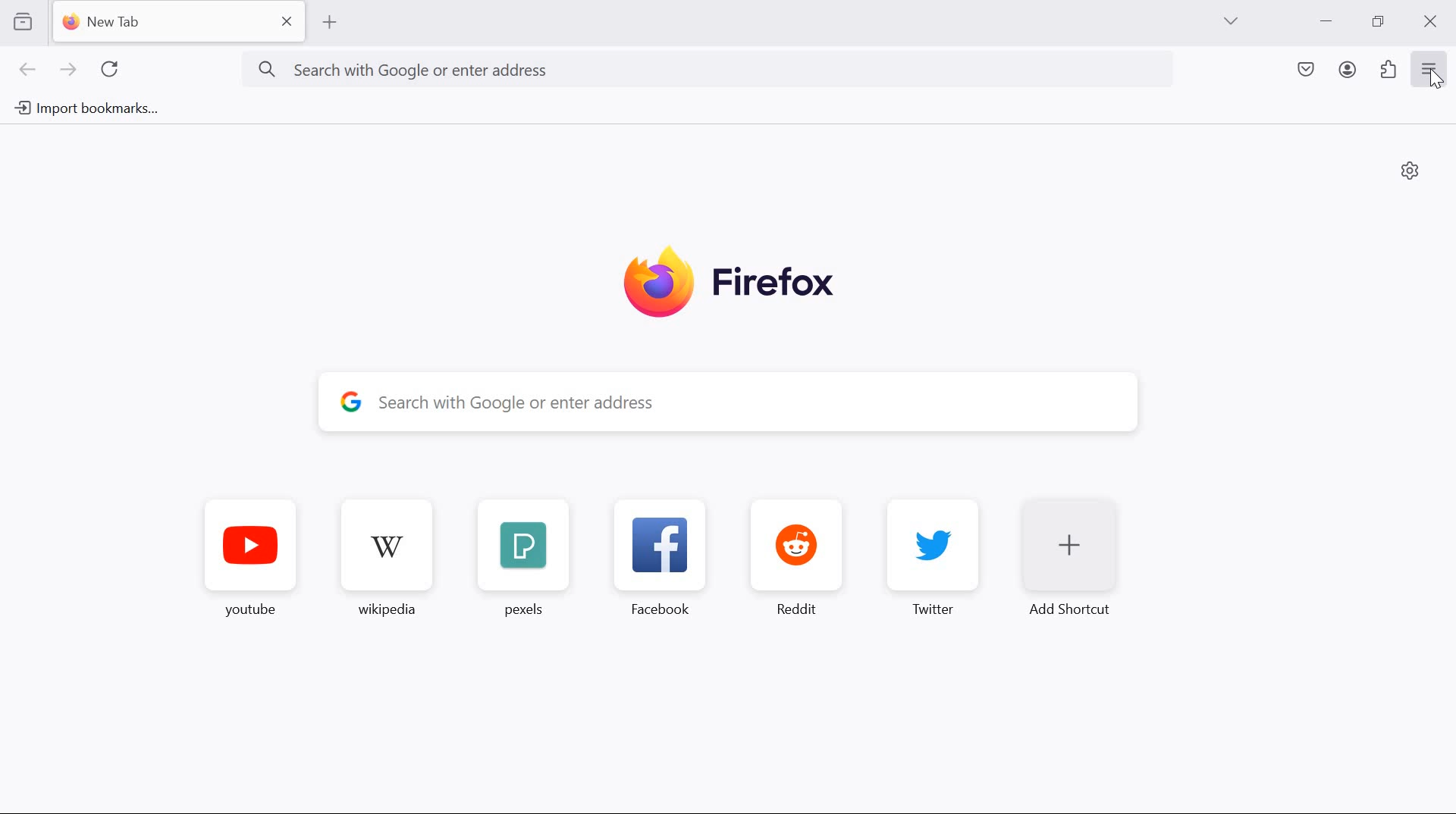 This screenshot has height=814, width=1456. What do you see at coordinates (520, 554) in the screenshot?
I see `pexels` at bounding box center [520, 554].